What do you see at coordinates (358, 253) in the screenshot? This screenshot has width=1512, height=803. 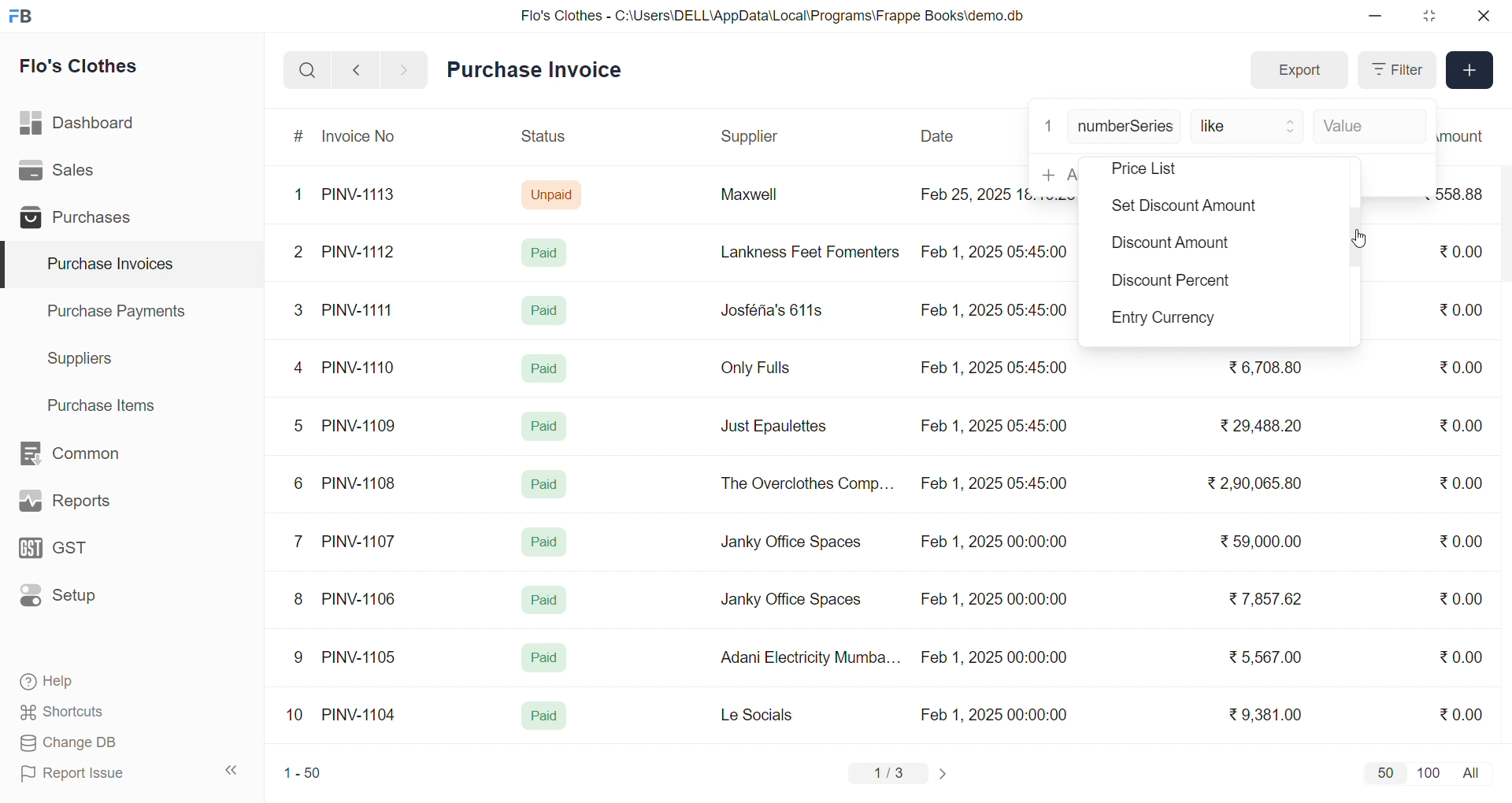 I see `PINV-1112` at bounding box center [358, 253].